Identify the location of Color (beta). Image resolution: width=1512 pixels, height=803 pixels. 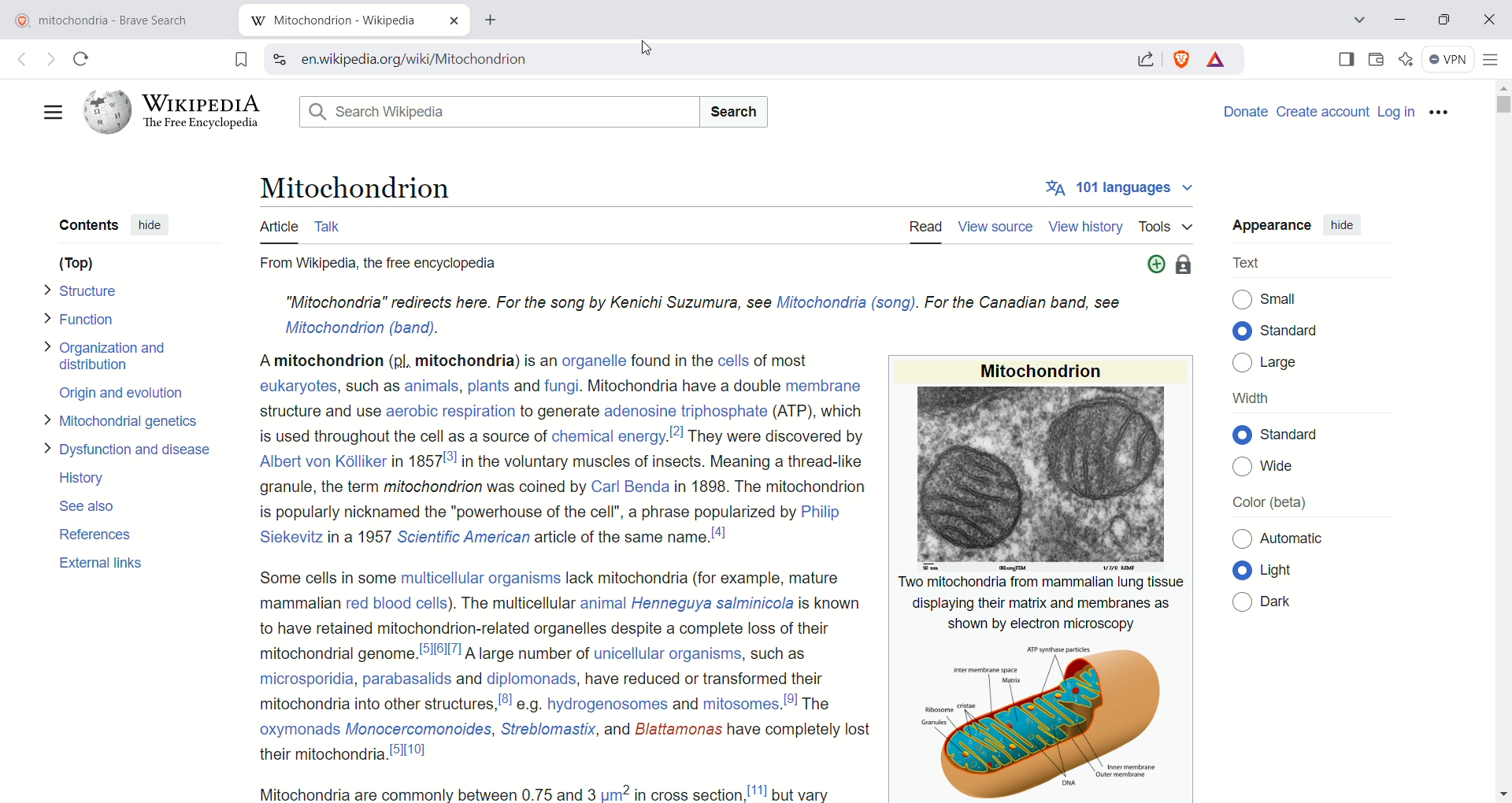
(1266, 502).